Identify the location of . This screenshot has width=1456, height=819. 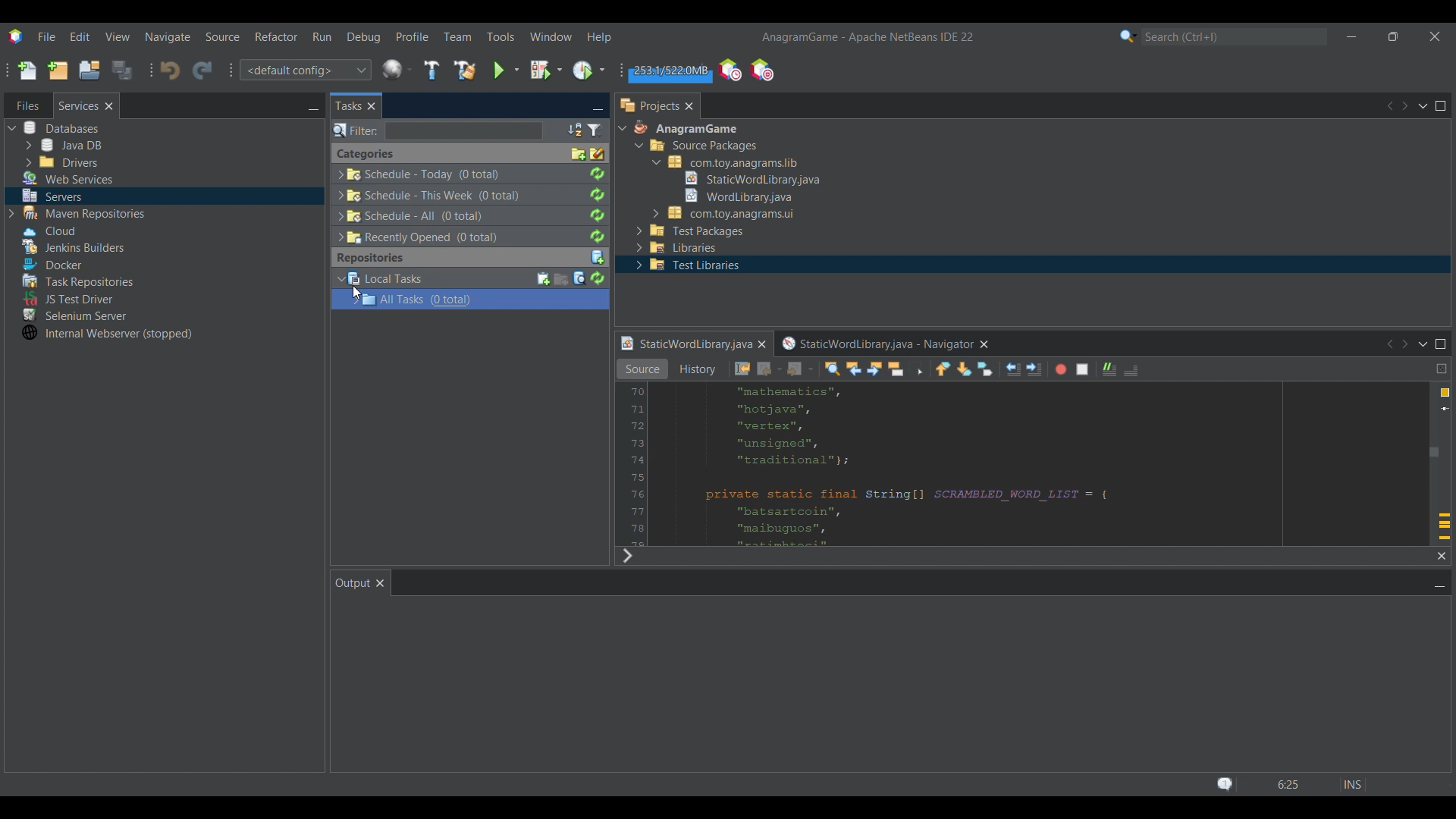
(733, 194).